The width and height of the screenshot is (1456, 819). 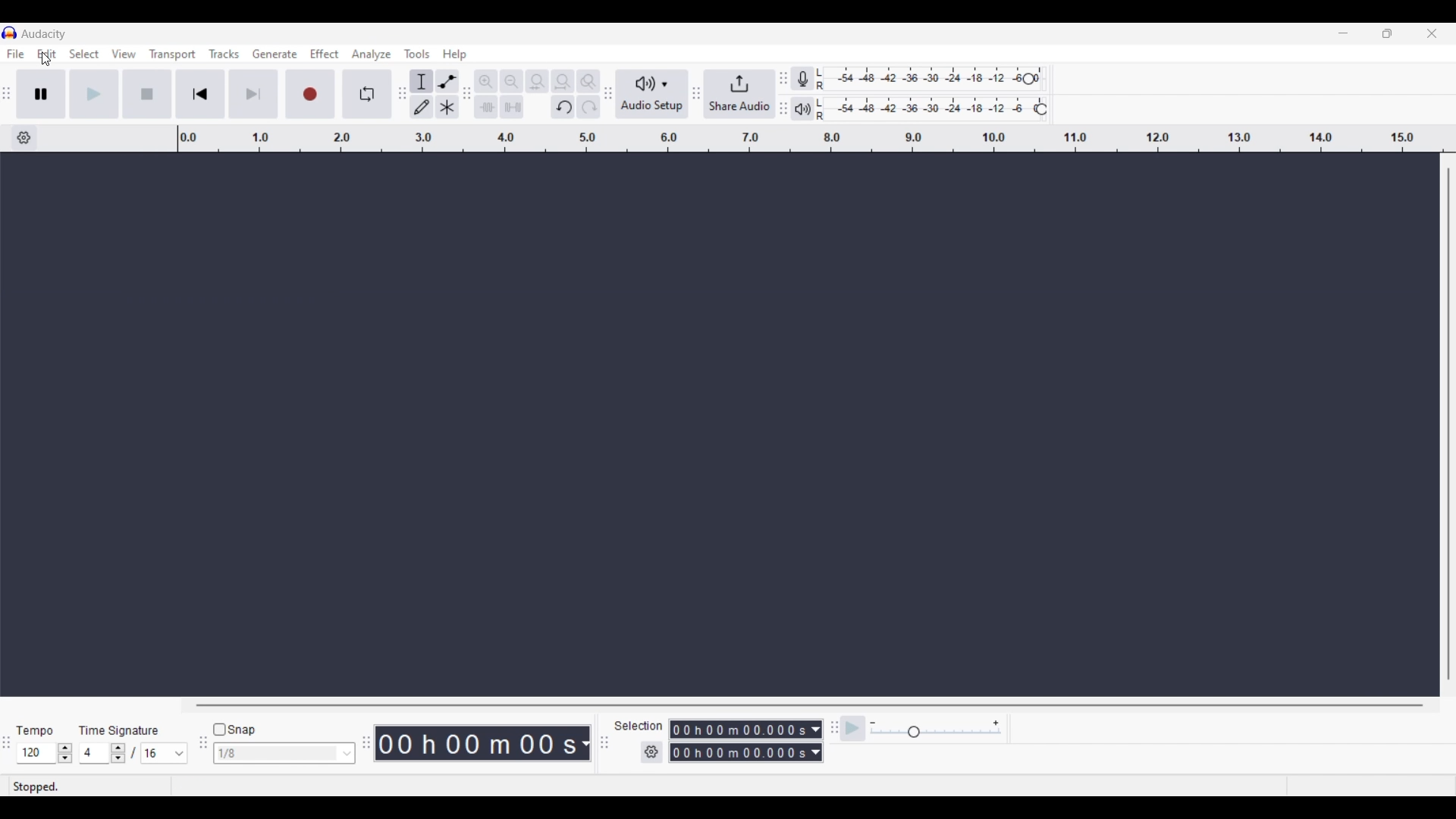 What do you see at coordinates (173, 54) in the screenshot?
I see `Transport menu` at bounding box center [173, 54].